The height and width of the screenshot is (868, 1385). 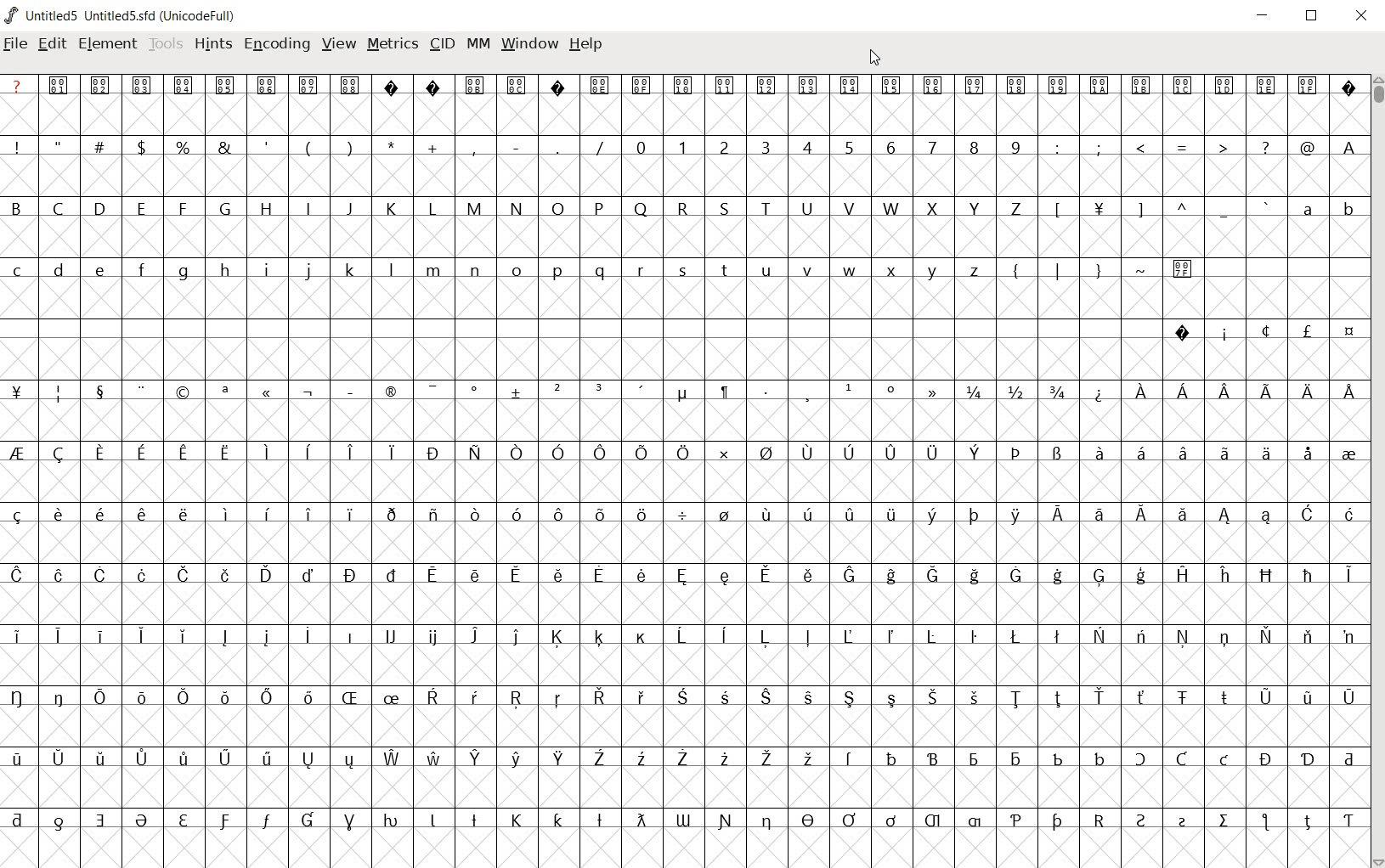 I want to click on Symbol, so click(x=514, y=759).